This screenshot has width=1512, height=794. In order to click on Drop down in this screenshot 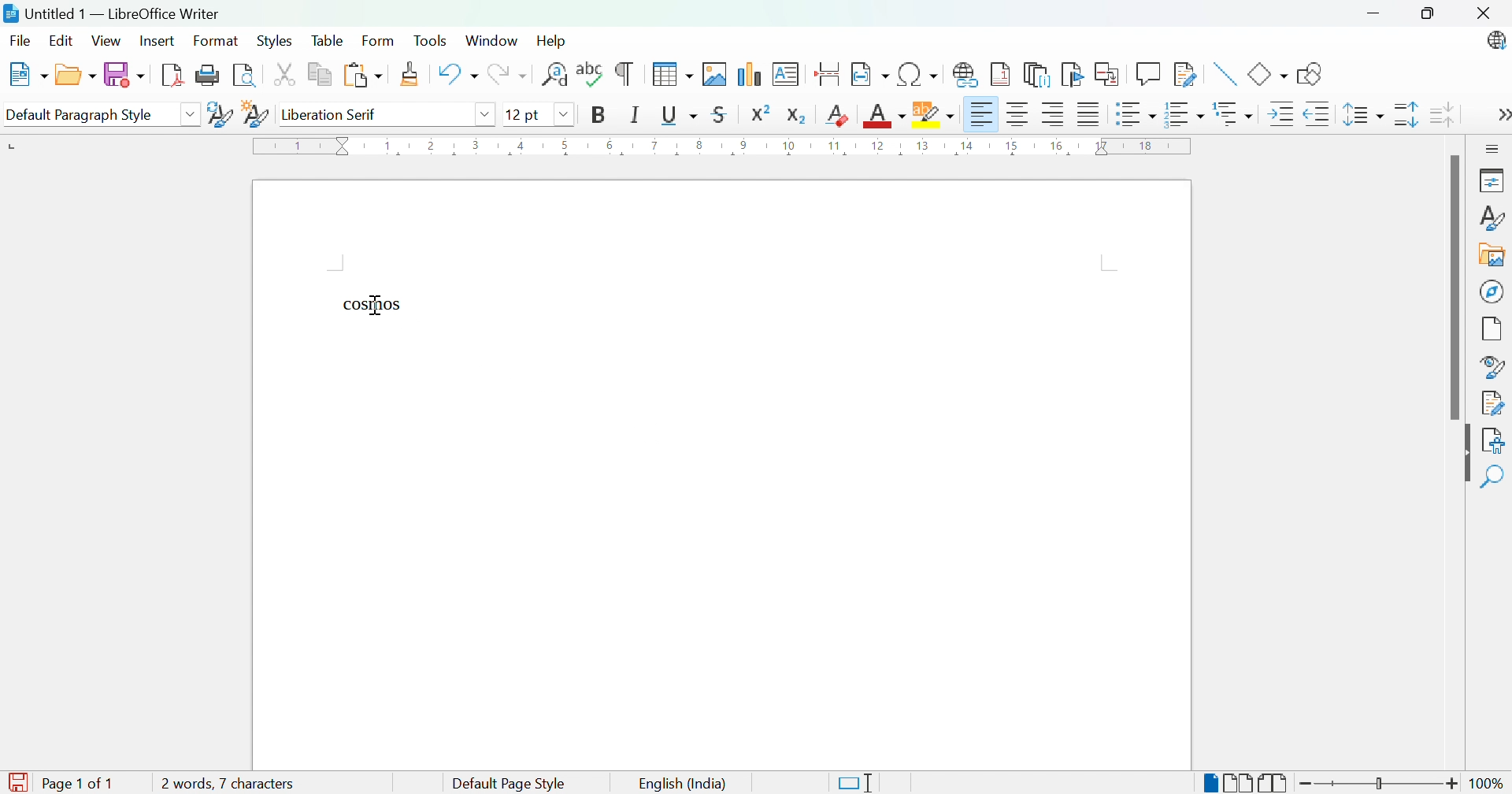, I will do `click(194, 112)`.